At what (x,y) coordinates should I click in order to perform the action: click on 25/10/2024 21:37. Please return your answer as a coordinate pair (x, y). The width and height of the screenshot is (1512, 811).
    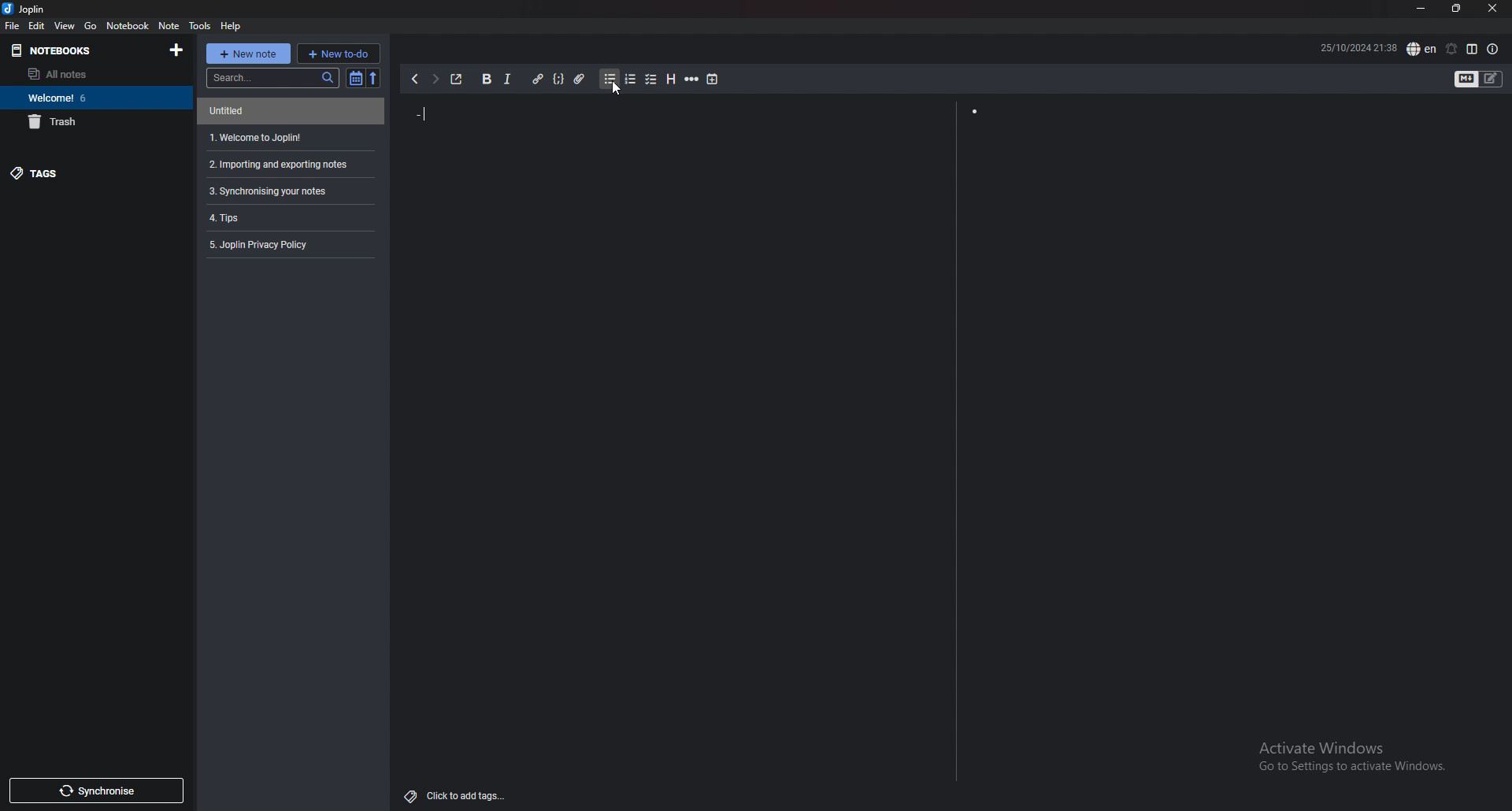
    Looking at the image, I should click on (1331, 47).